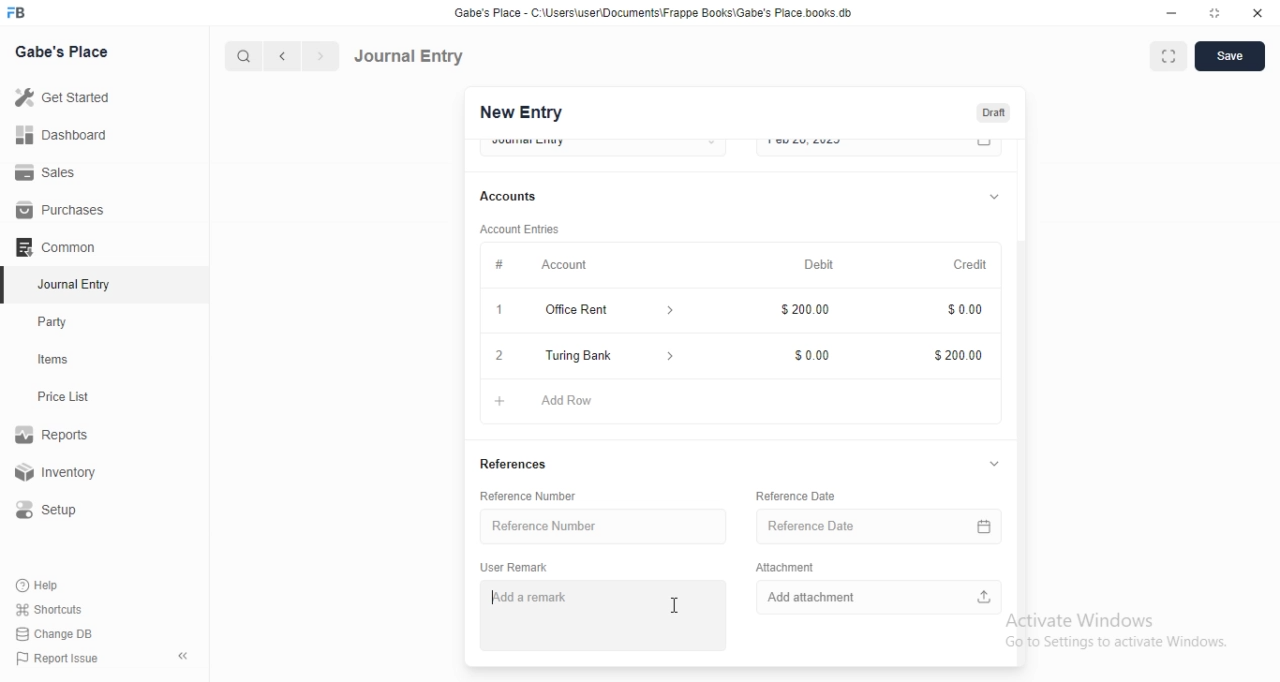 The width and height of the screenshot is (1280, 682). What do you see at coordinates (821, 264) in the screenshot?
I see `Debit` at bounding box center [821, 264].